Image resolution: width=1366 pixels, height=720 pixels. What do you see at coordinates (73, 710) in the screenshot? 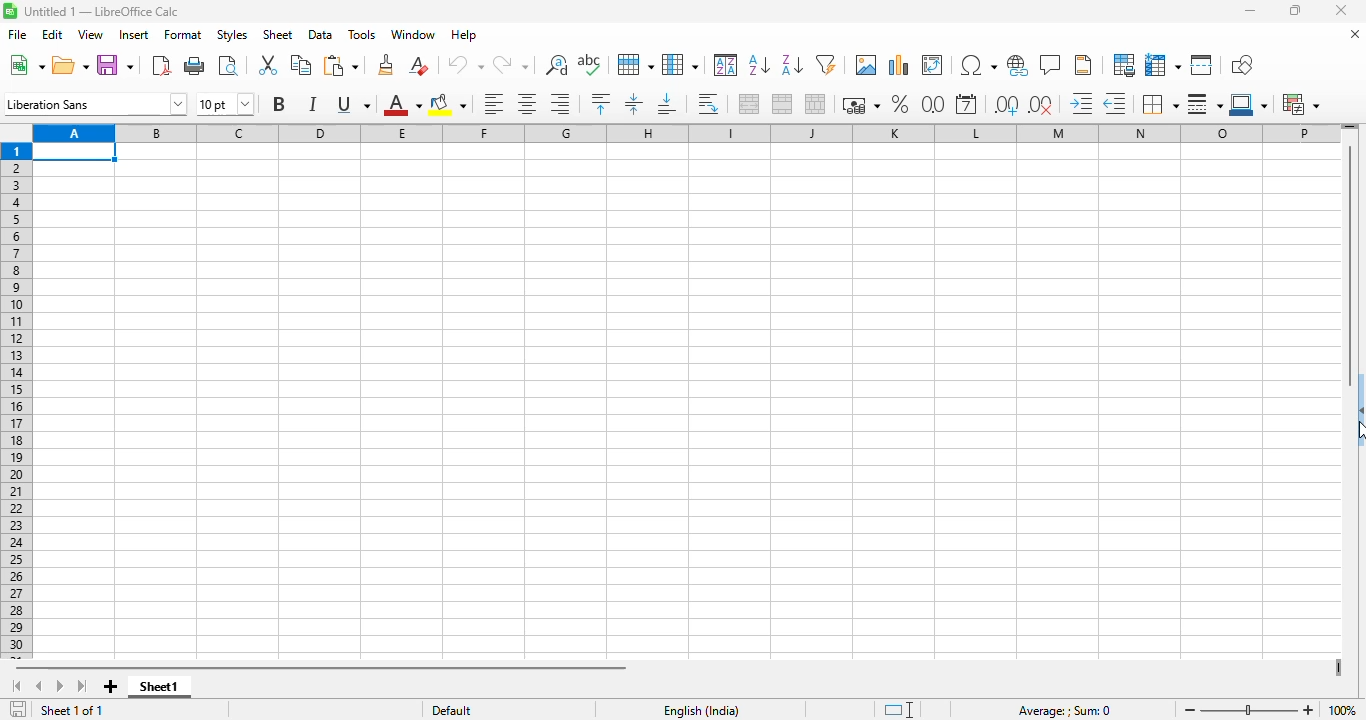
I see `sheet 1 of 1` at bounding box center [73, 710].